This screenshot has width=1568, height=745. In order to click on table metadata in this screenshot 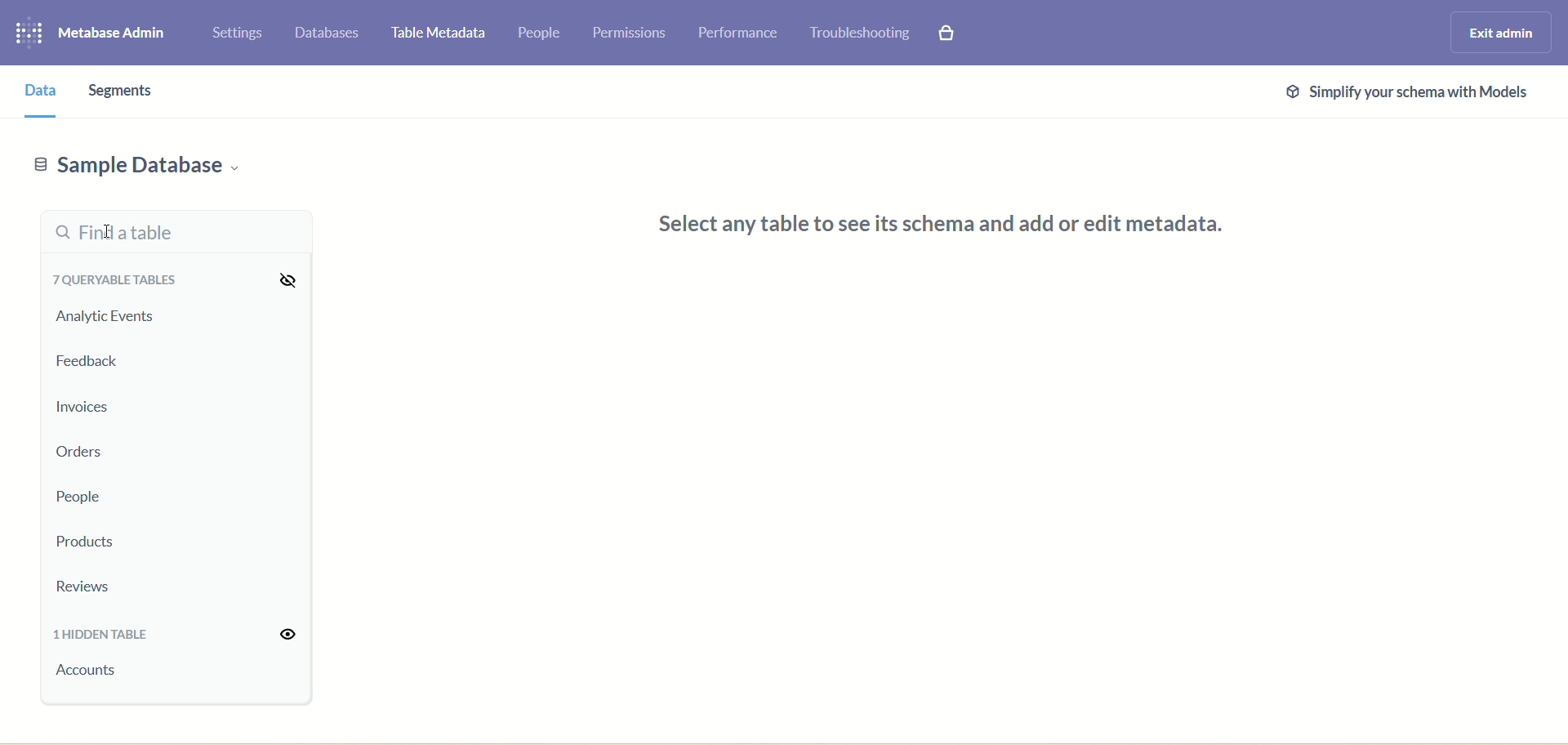, I will do `click(435, 33)`.